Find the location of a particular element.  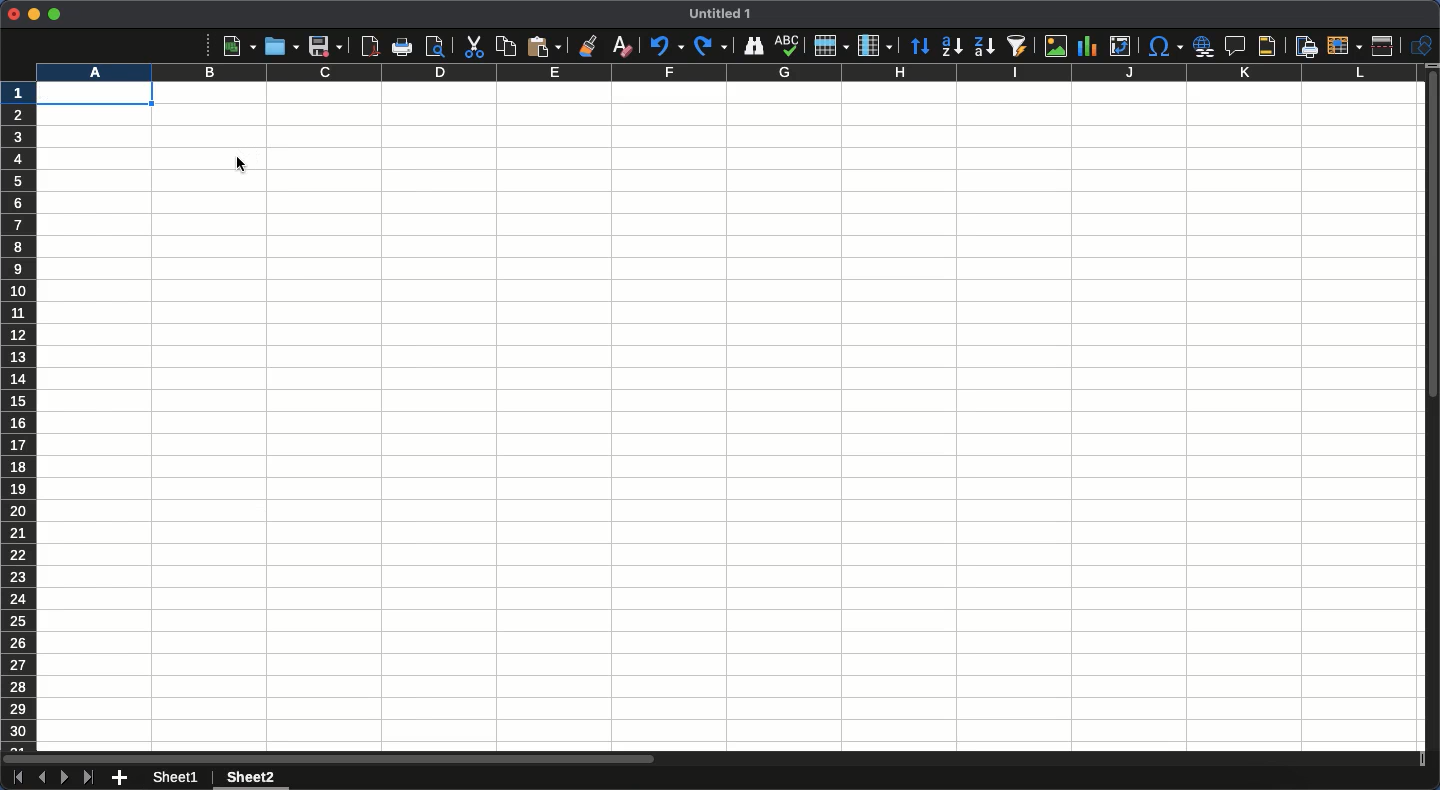

Scroll is located at coordinates (1431, 418).